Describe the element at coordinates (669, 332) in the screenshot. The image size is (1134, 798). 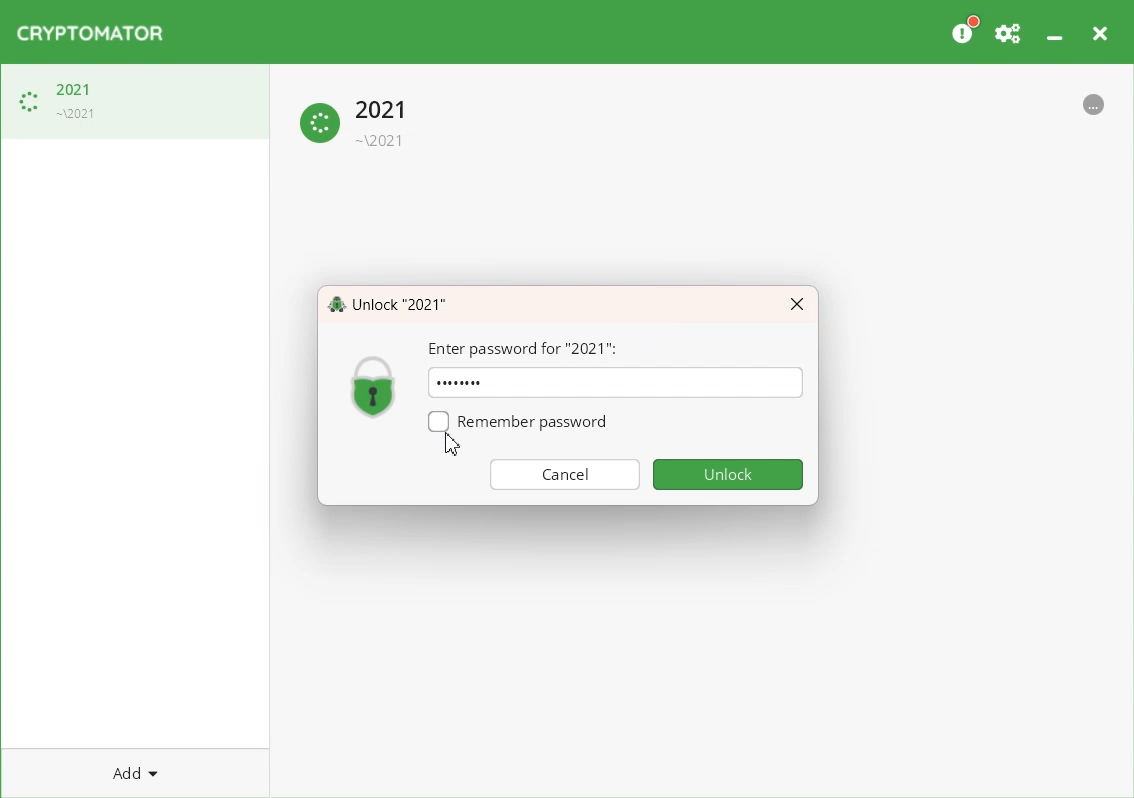
I see `Cursor` at that location.